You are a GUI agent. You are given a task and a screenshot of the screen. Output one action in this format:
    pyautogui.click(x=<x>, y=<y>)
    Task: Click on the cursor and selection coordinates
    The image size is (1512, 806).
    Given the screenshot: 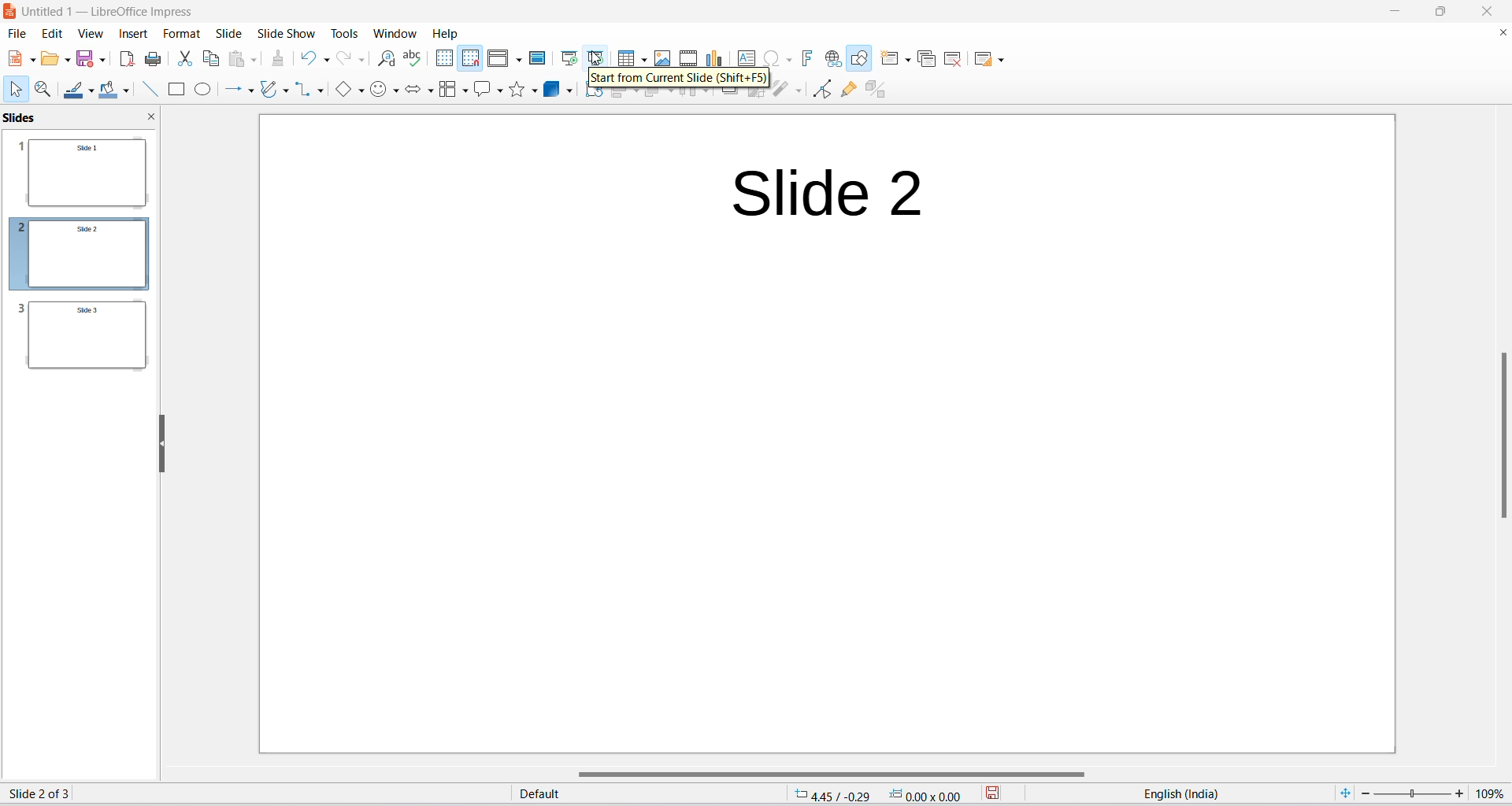 What is the action you would take?
    pyautogui.click(x=873, y=794)
    